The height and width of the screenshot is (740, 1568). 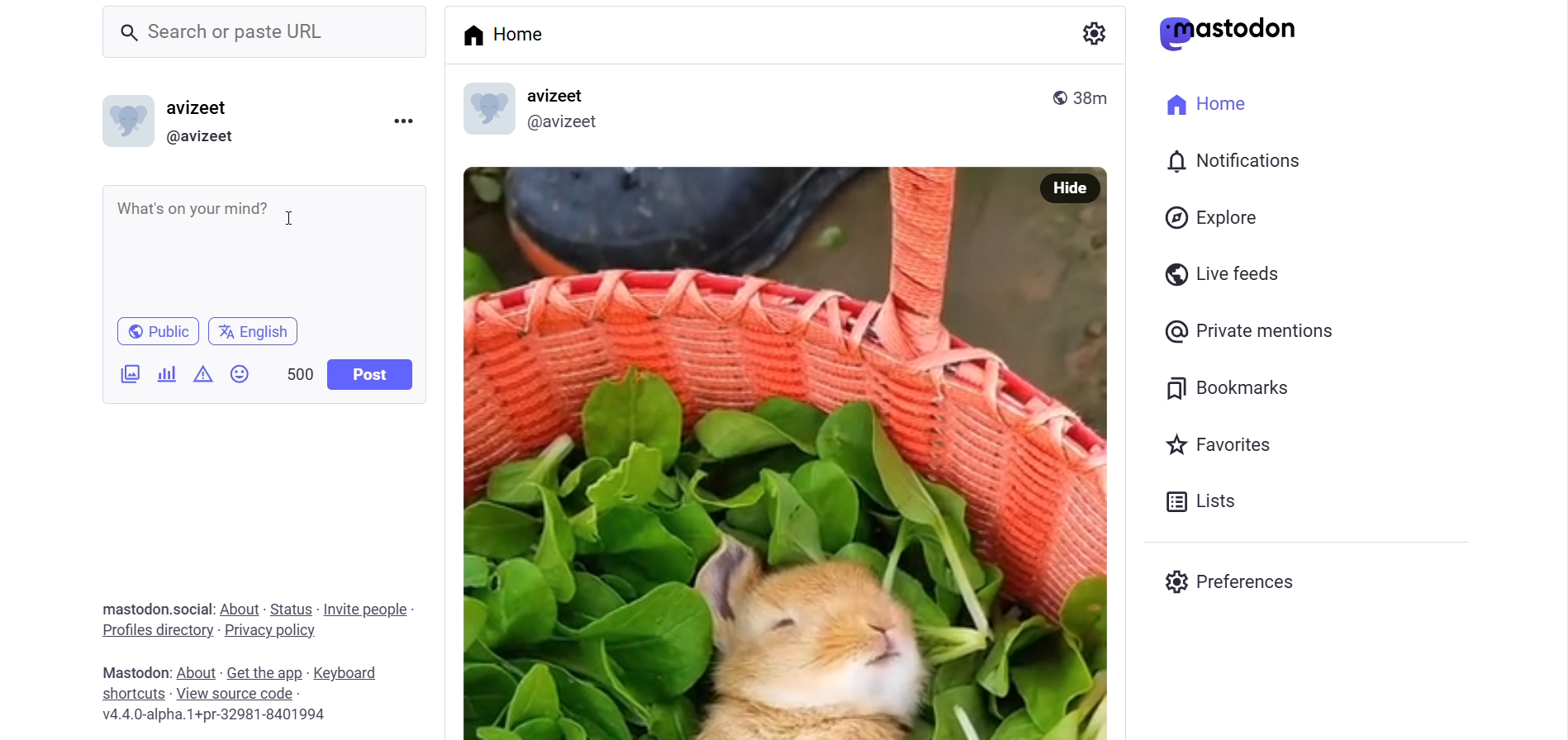 What do you see at coordinates (201, 108) in the screenshot?
I see `avizeet` at bounding box center [201, 108].